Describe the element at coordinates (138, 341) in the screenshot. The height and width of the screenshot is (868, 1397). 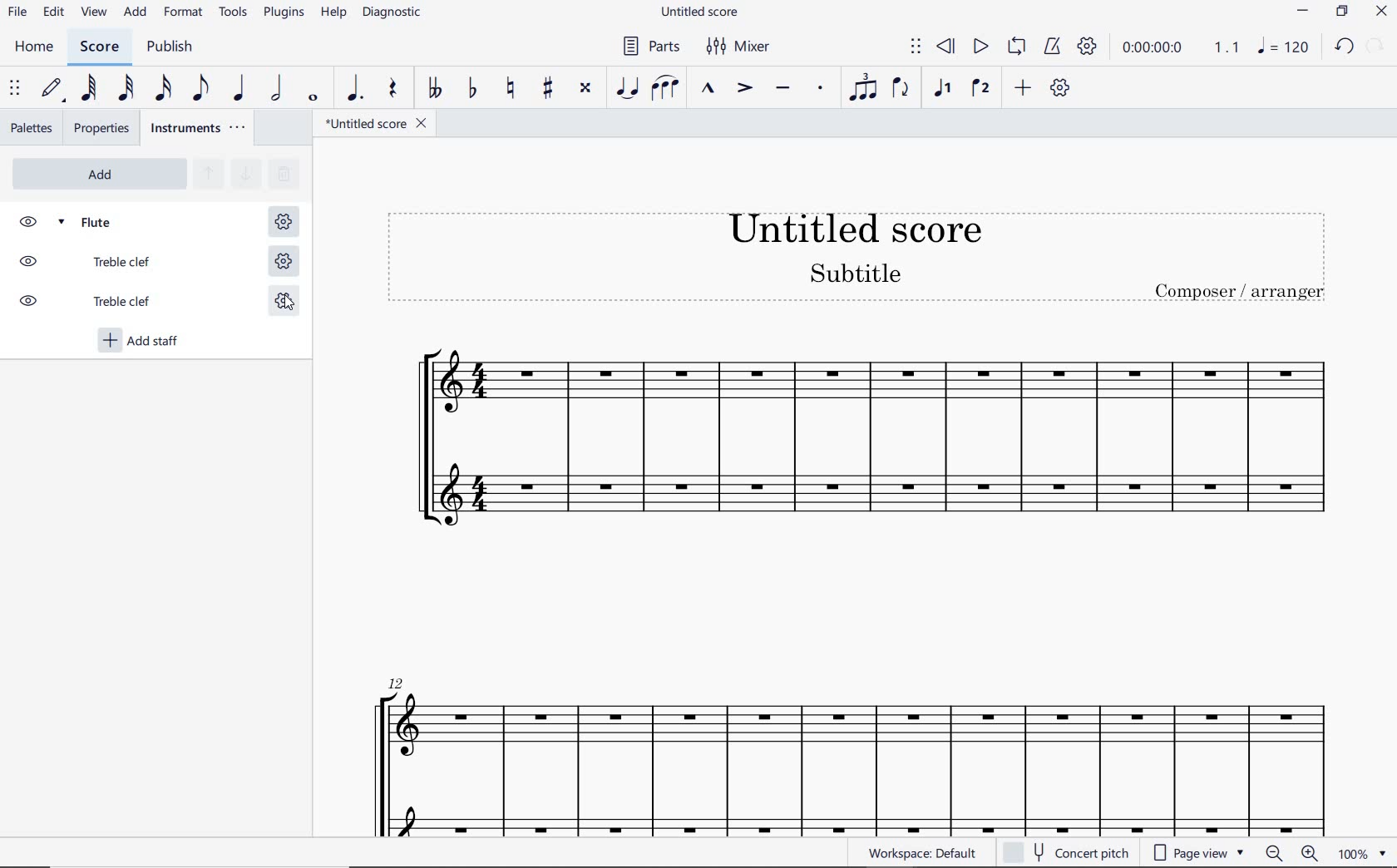
I see `add staff` at that location.